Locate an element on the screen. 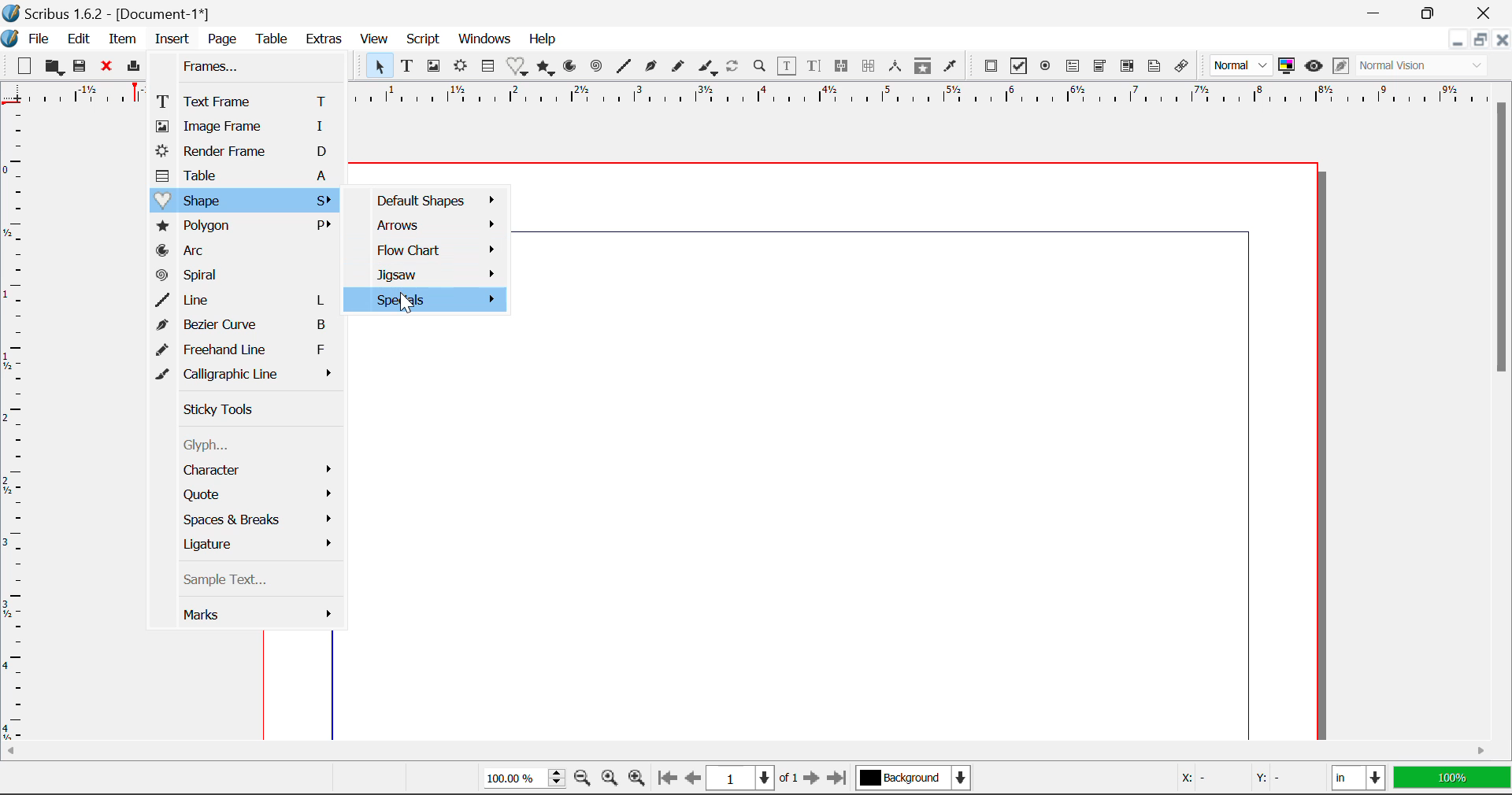 The height and width of the screenshot is (795, 1512). Pdf Text Field is located at coordinates (1073, 68).